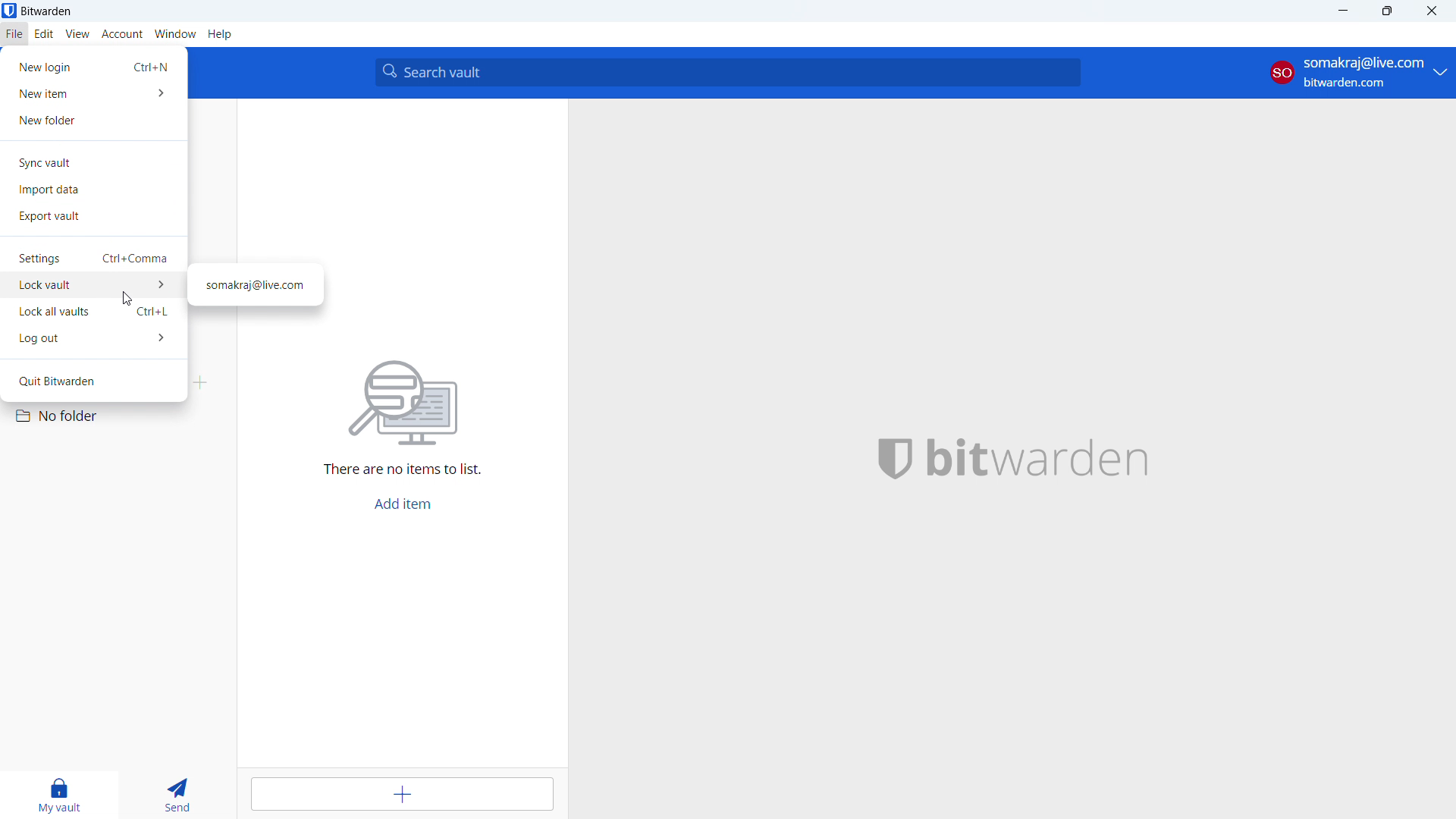  What do you see at coordinates (1357, 73) in the screenshot?
I see `account` at bounding box center [1357, 73].